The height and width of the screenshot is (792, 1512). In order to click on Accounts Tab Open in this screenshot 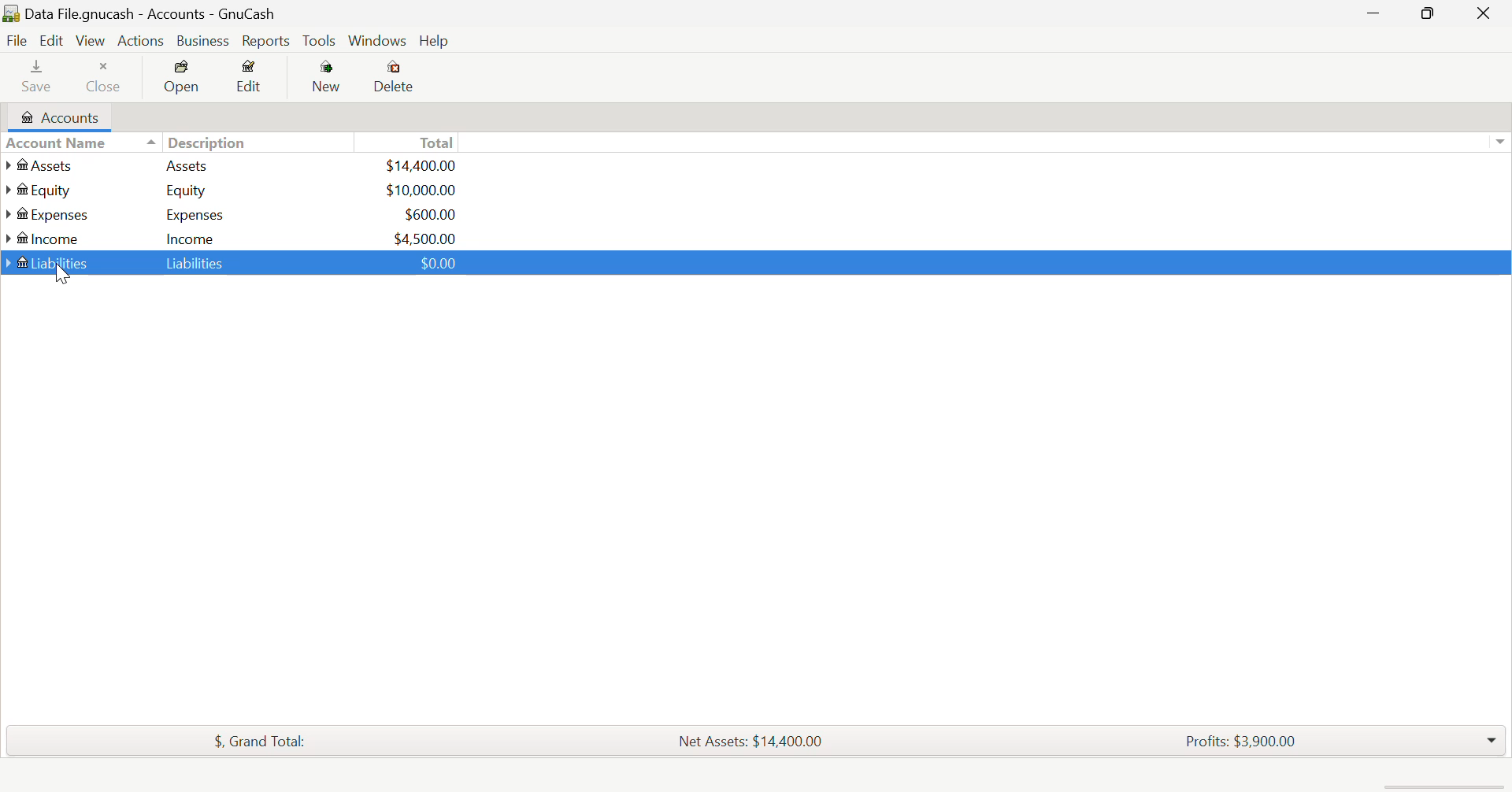, I will do `click(65, 117)`.